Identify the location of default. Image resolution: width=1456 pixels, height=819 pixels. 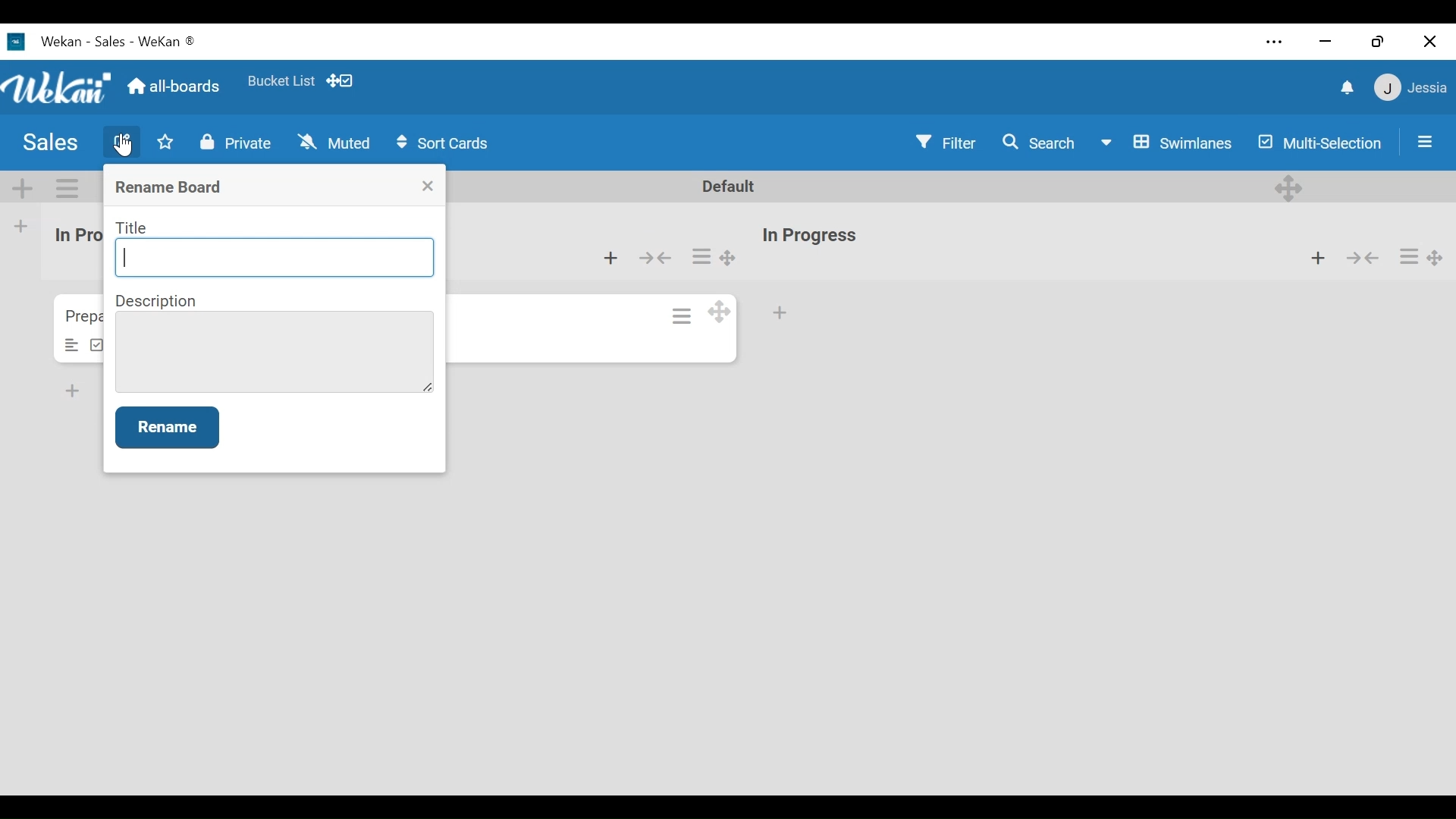
(734, 187).